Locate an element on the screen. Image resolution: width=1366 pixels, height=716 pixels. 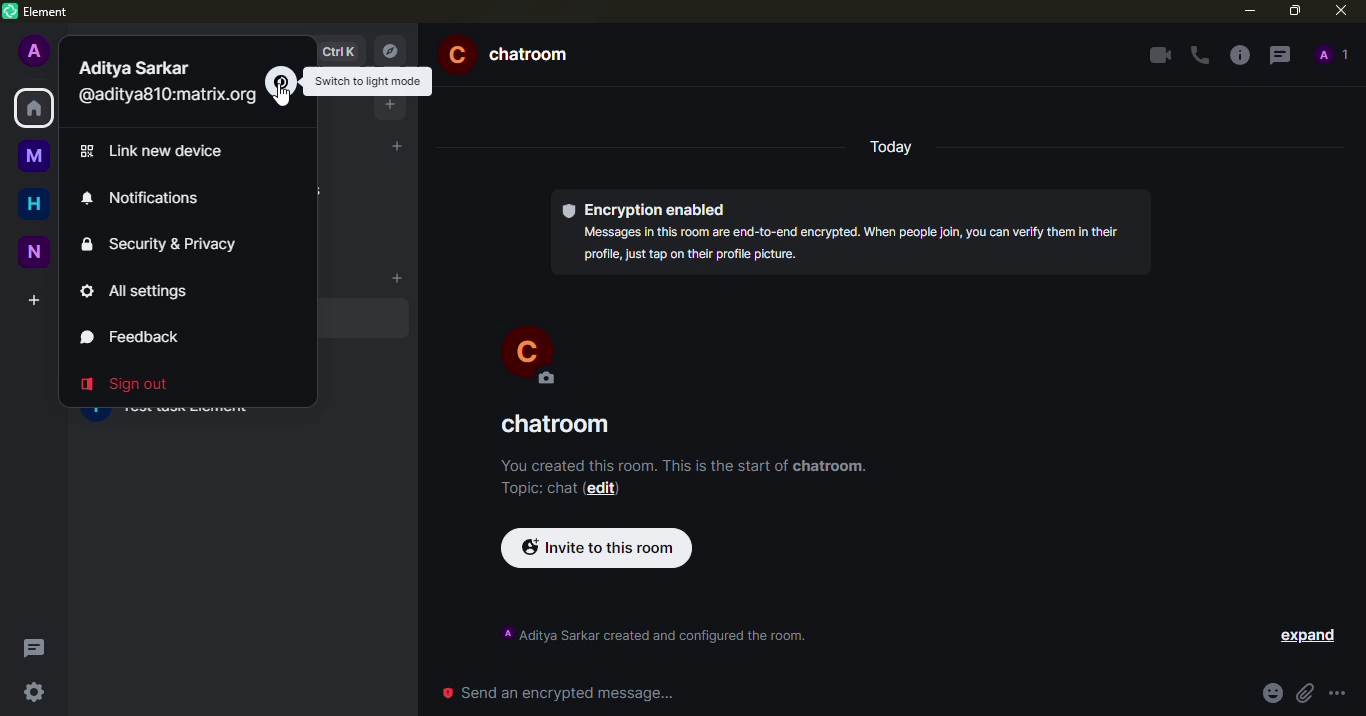
people is located at coordinates (1334, 53).